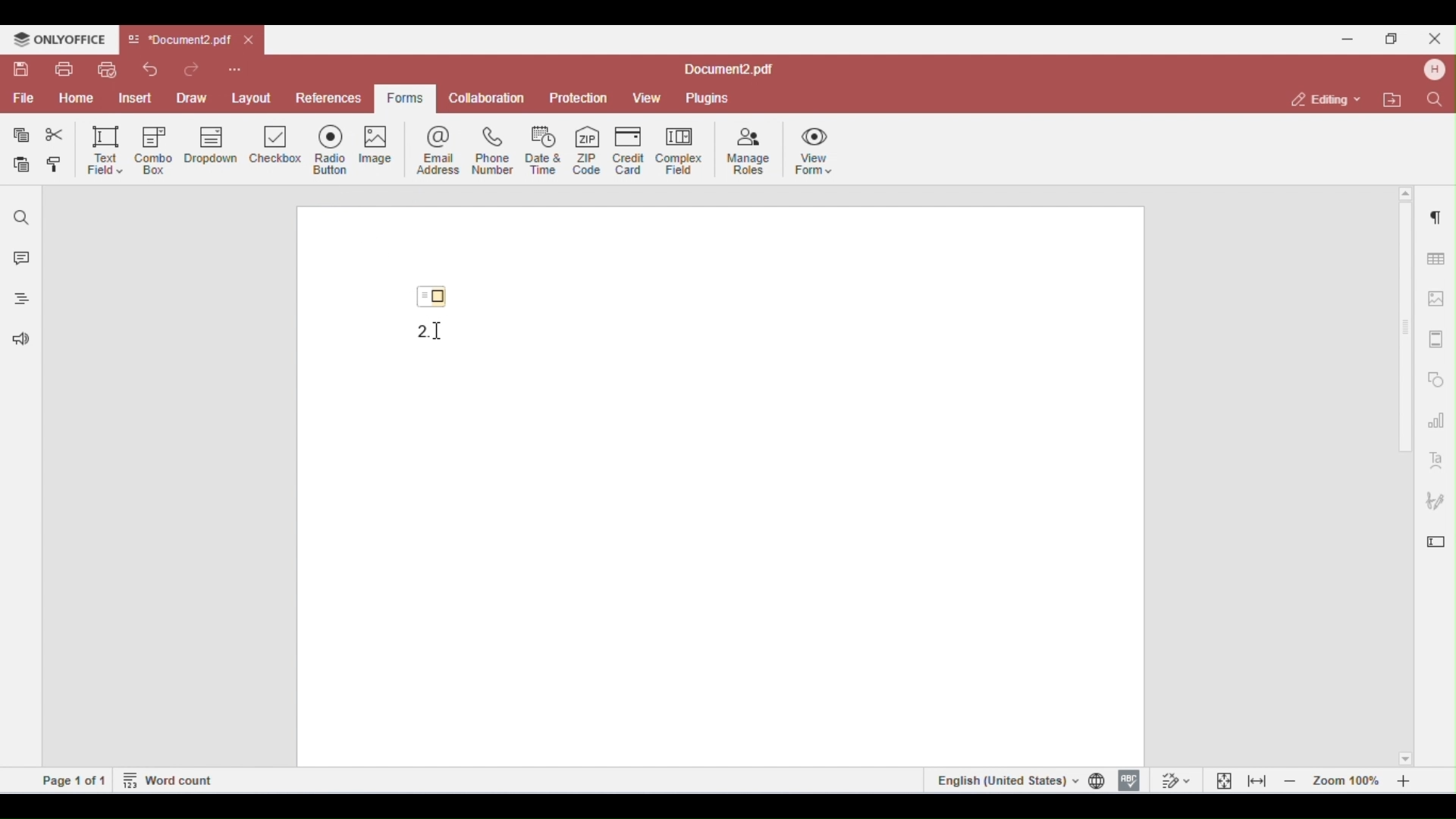 The width and height of the screenshot is (1456, 819). Describe the element at coordinates (22, 135) in the screenshot. I see `copy` at that location.